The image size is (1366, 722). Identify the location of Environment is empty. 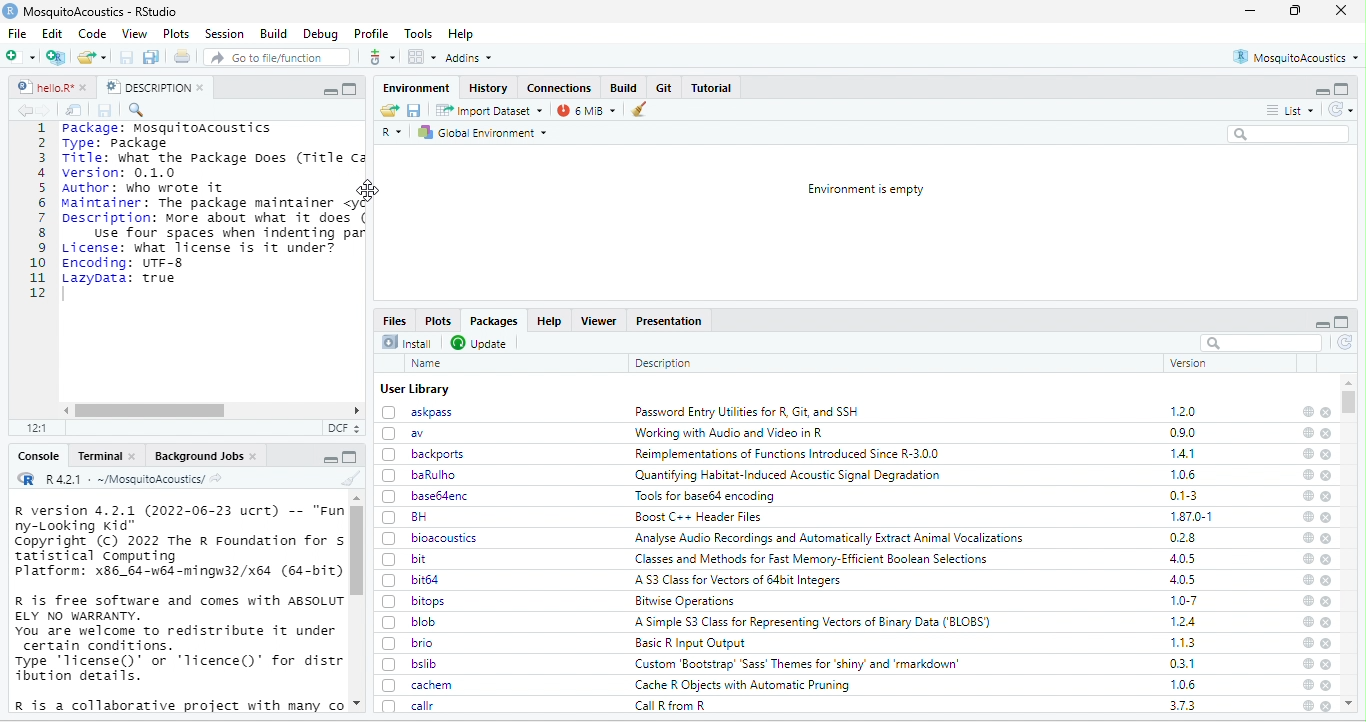
(868, 189).